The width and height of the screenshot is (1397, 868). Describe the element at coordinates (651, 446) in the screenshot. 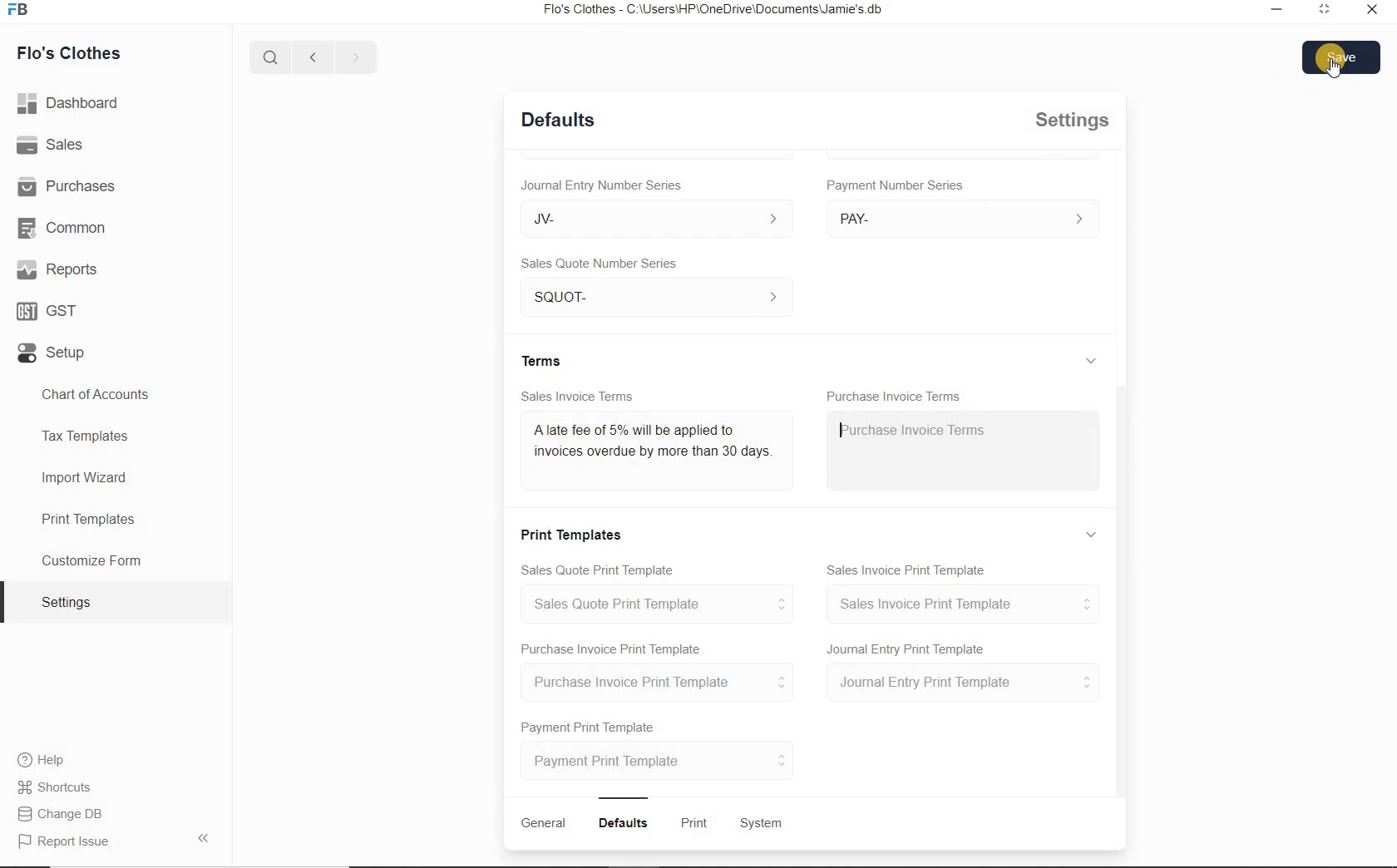

I see `A late fee of 5% will be applied toinvoiced overdue by more than 30 days` at that location.